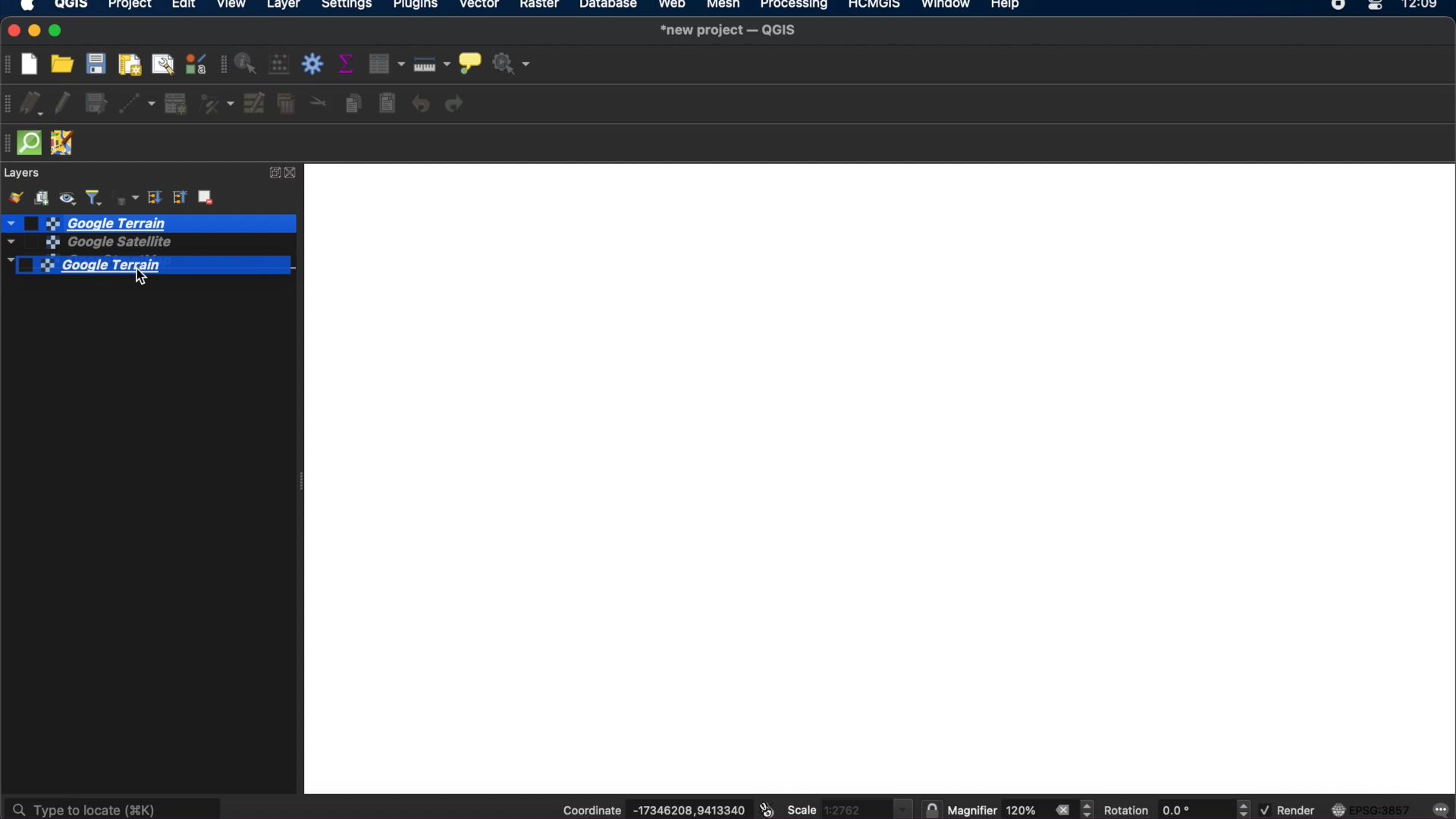 This screenshot has height=819, width=1456. I want to click on project, so click(129, 6).